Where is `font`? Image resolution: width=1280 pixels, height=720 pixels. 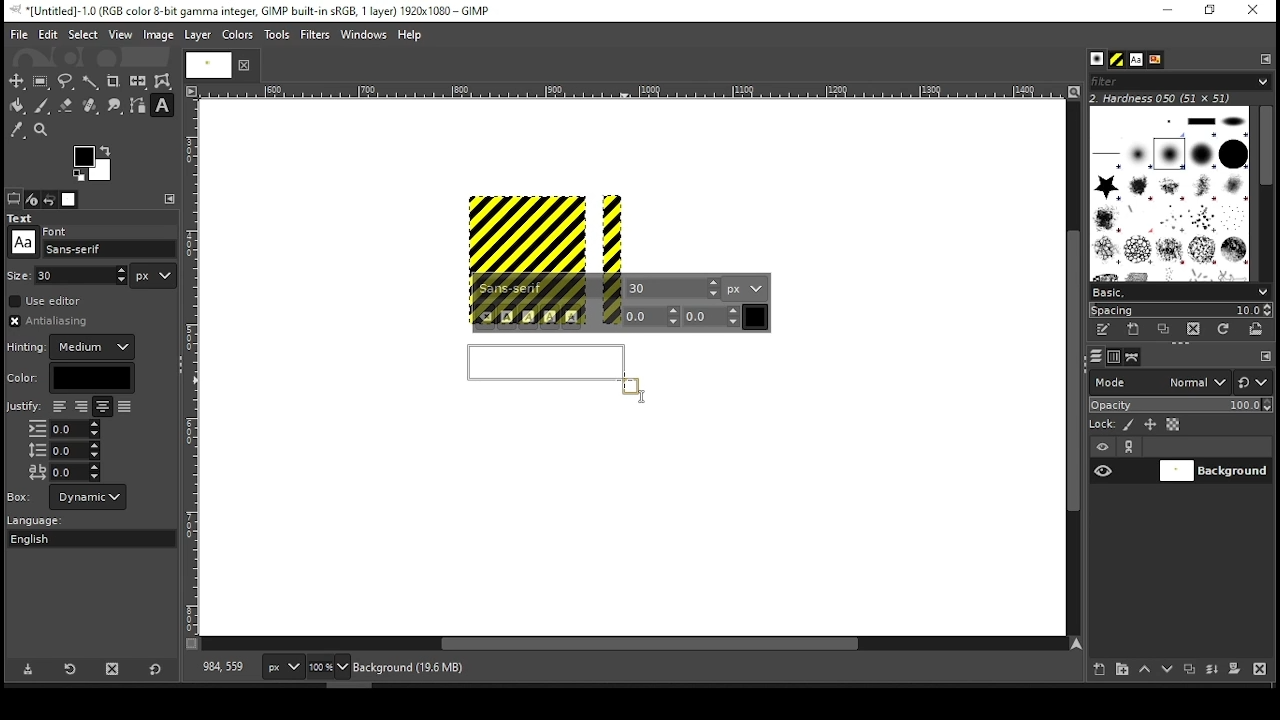
font is located at coordinates (673, 287).